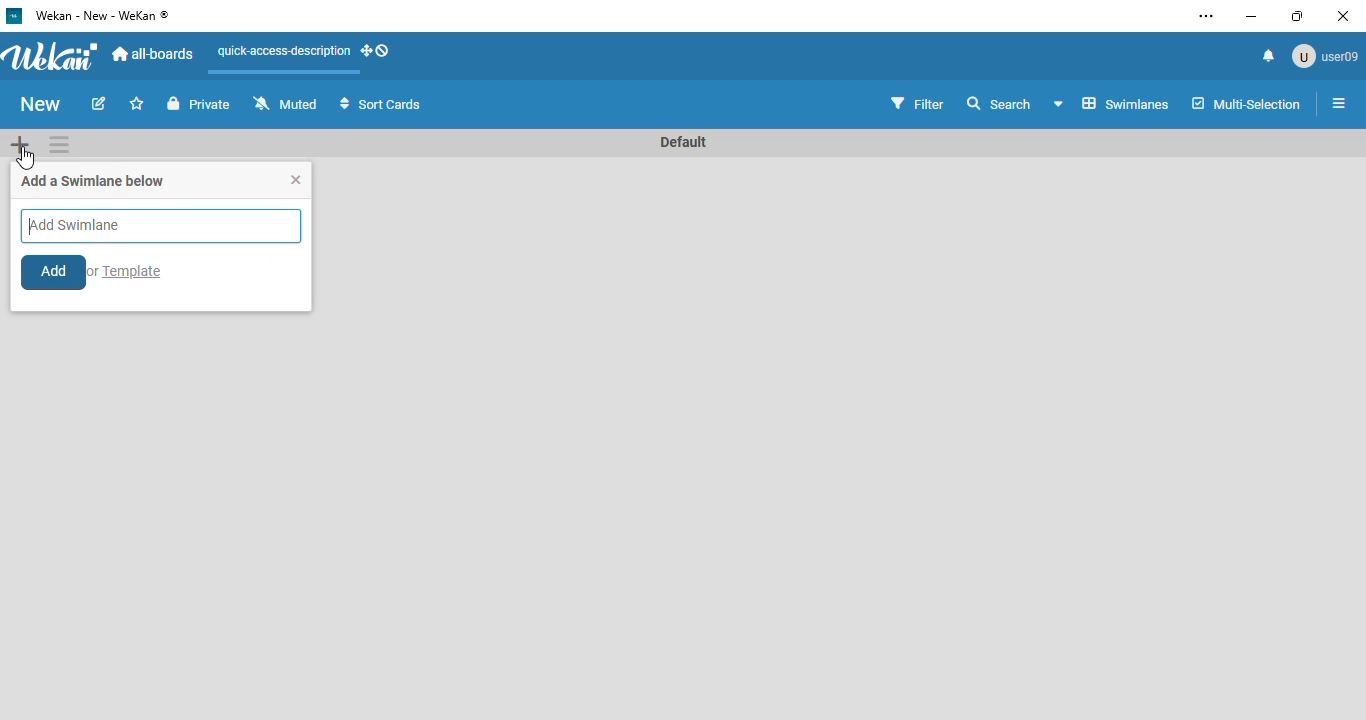 Image resolution: width=1366 pixels, height=720 pixels. I want to click on swimlane name, so click(685, 142).